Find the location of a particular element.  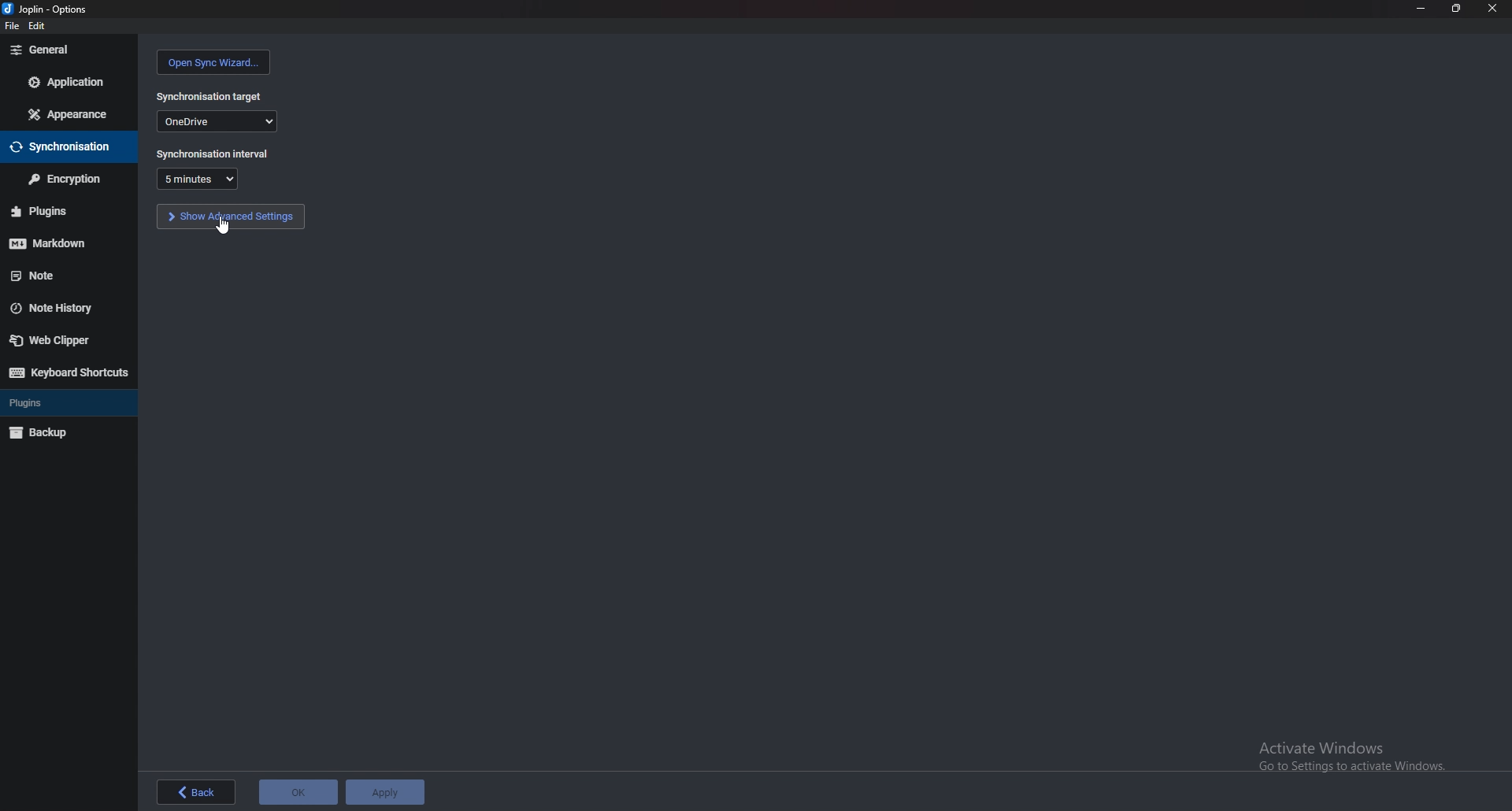

file is located at coordinates (10, 27).